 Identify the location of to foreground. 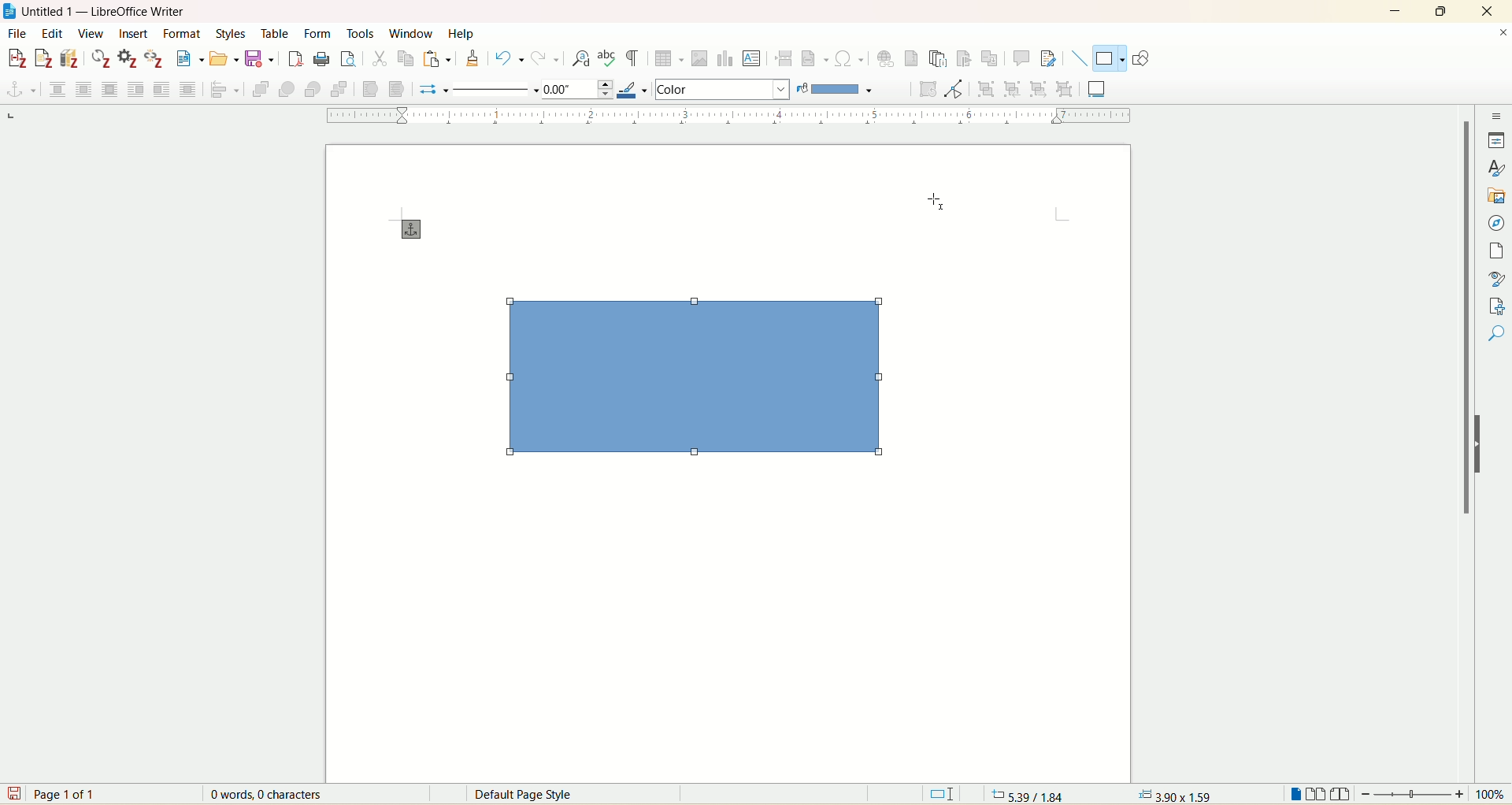
(373, 88).